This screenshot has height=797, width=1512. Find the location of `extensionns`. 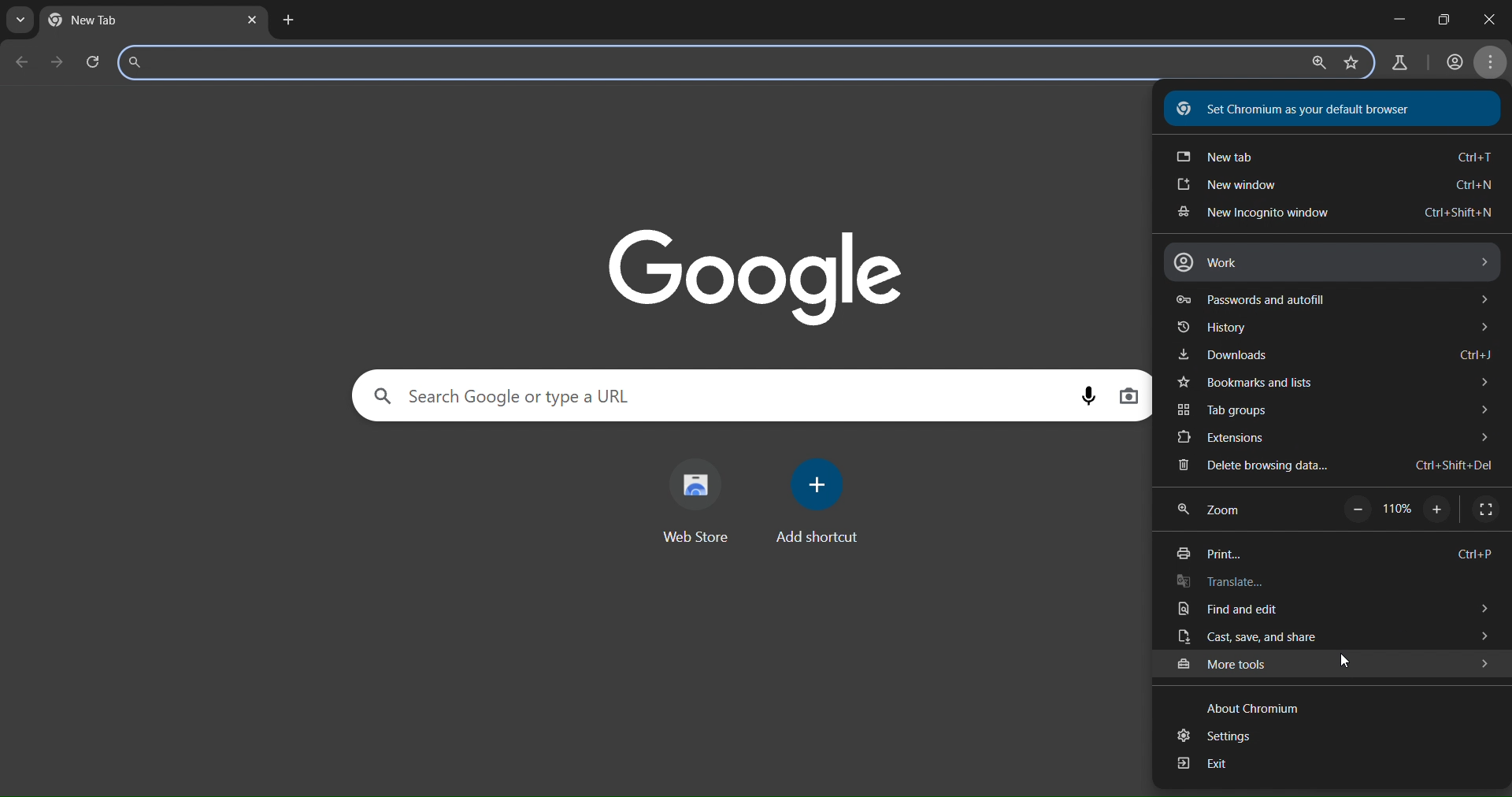

extensionns is located at coordinates (1336, 439).